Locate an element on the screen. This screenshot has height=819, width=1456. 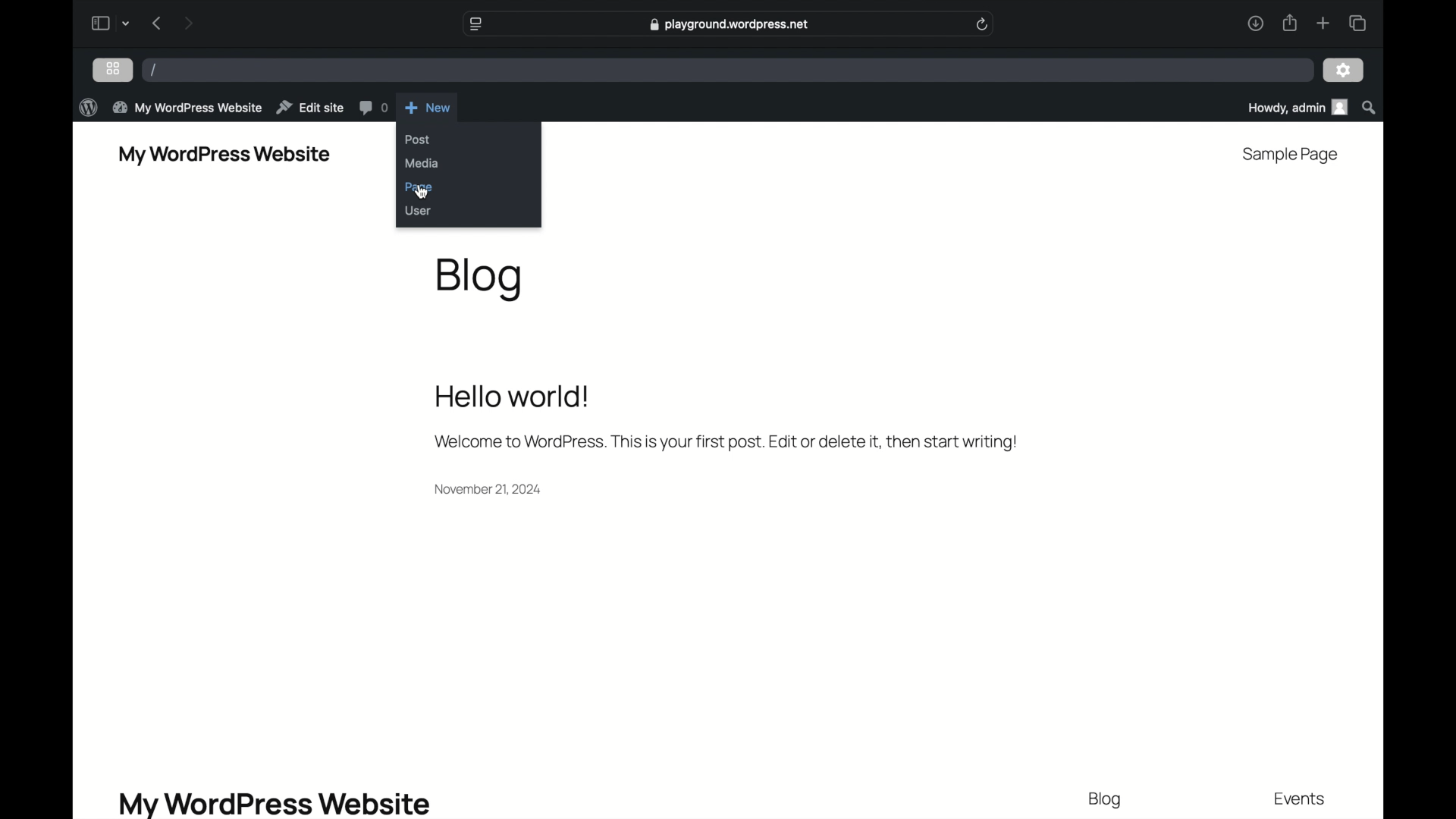
show tab overview is located at coordinates (1359, 24).